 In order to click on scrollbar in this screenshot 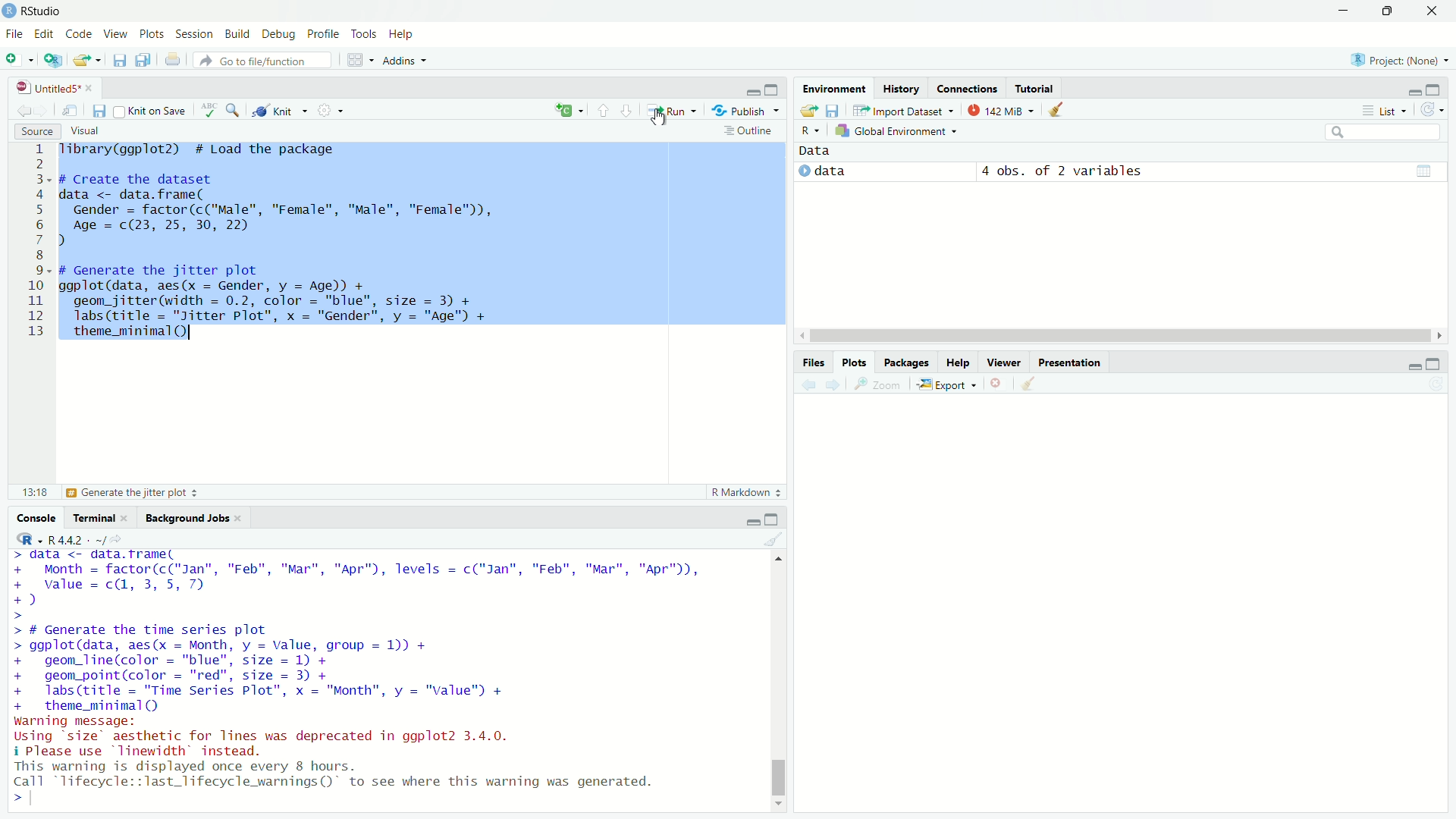, I will do `click(1122, 337)`.